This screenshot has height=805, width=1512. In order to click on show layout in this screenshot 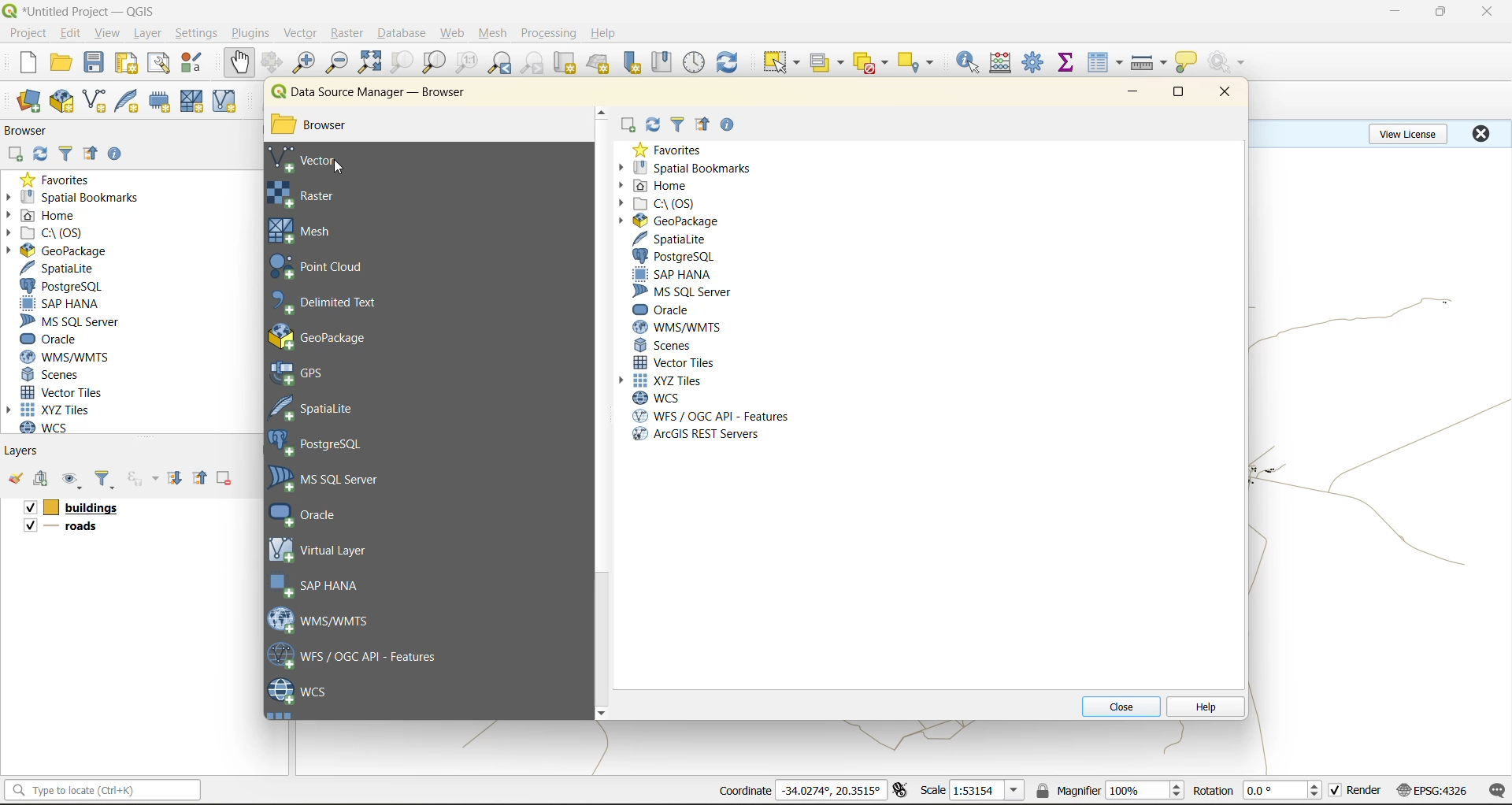, I will do `click(159, 63)`.